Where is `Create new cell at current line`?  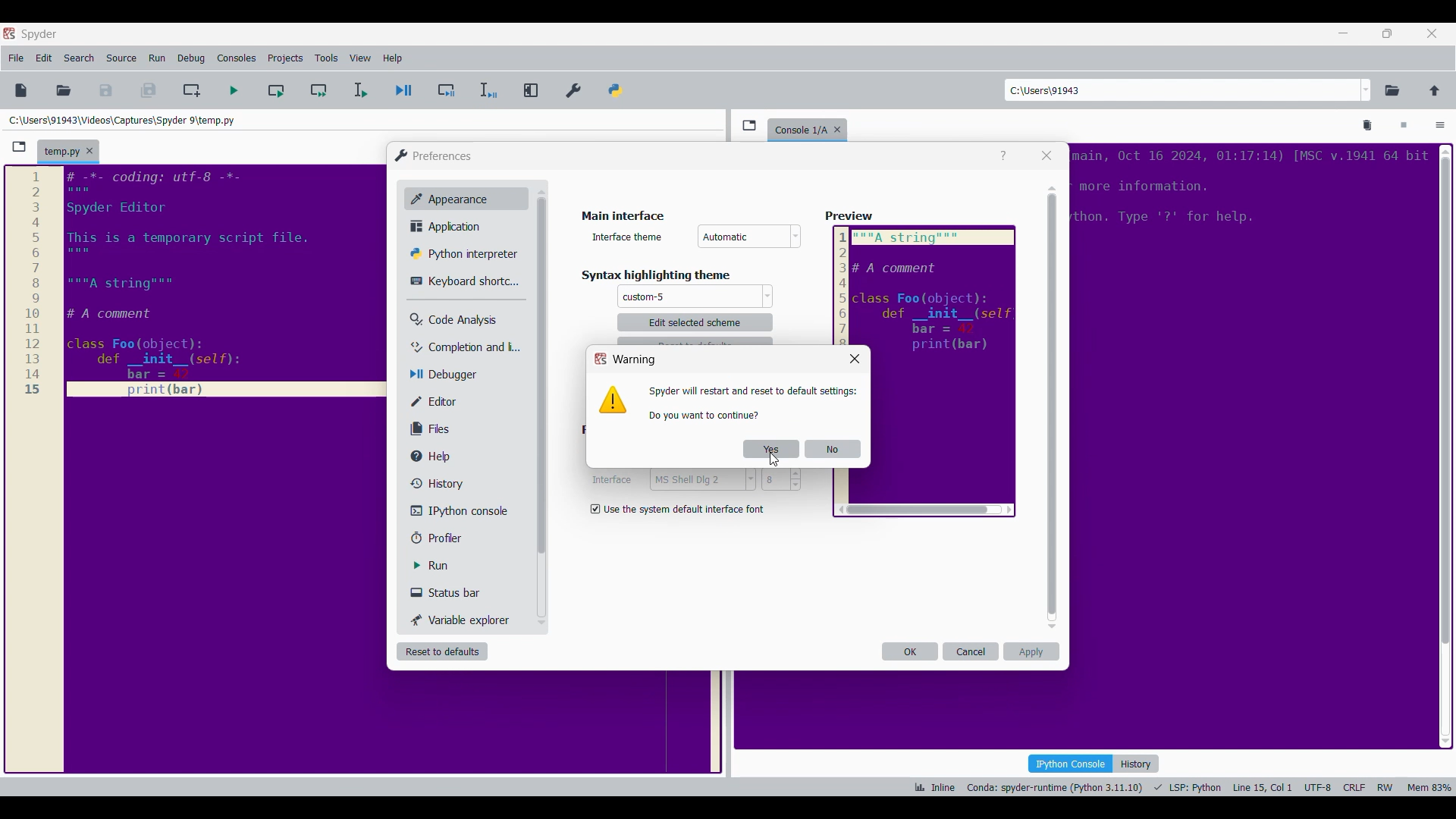
Create new cell at current line is located at coordinates (192, 90).